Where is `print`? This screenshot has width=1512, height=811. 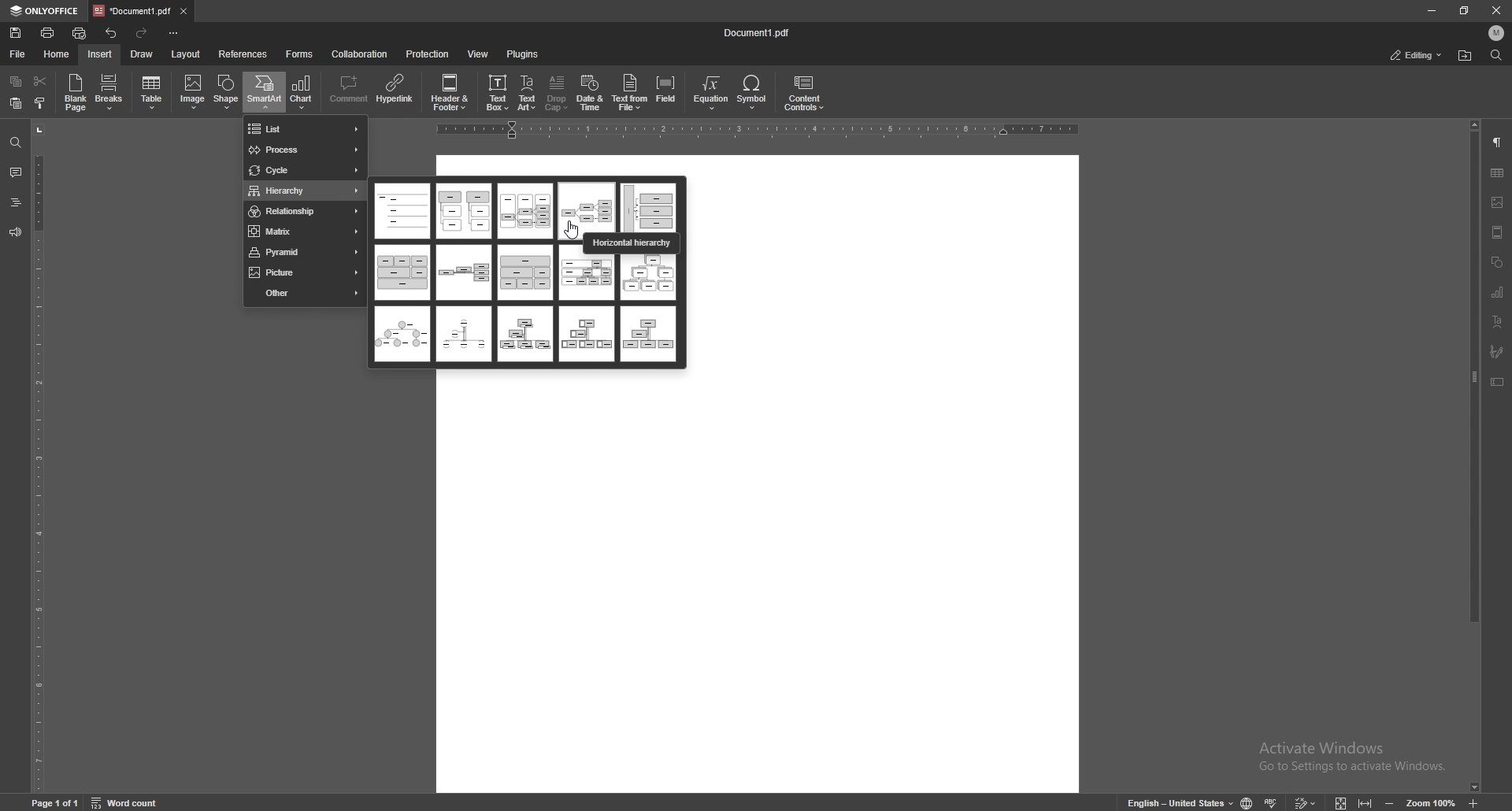 print is located at coordinates (49, 33).